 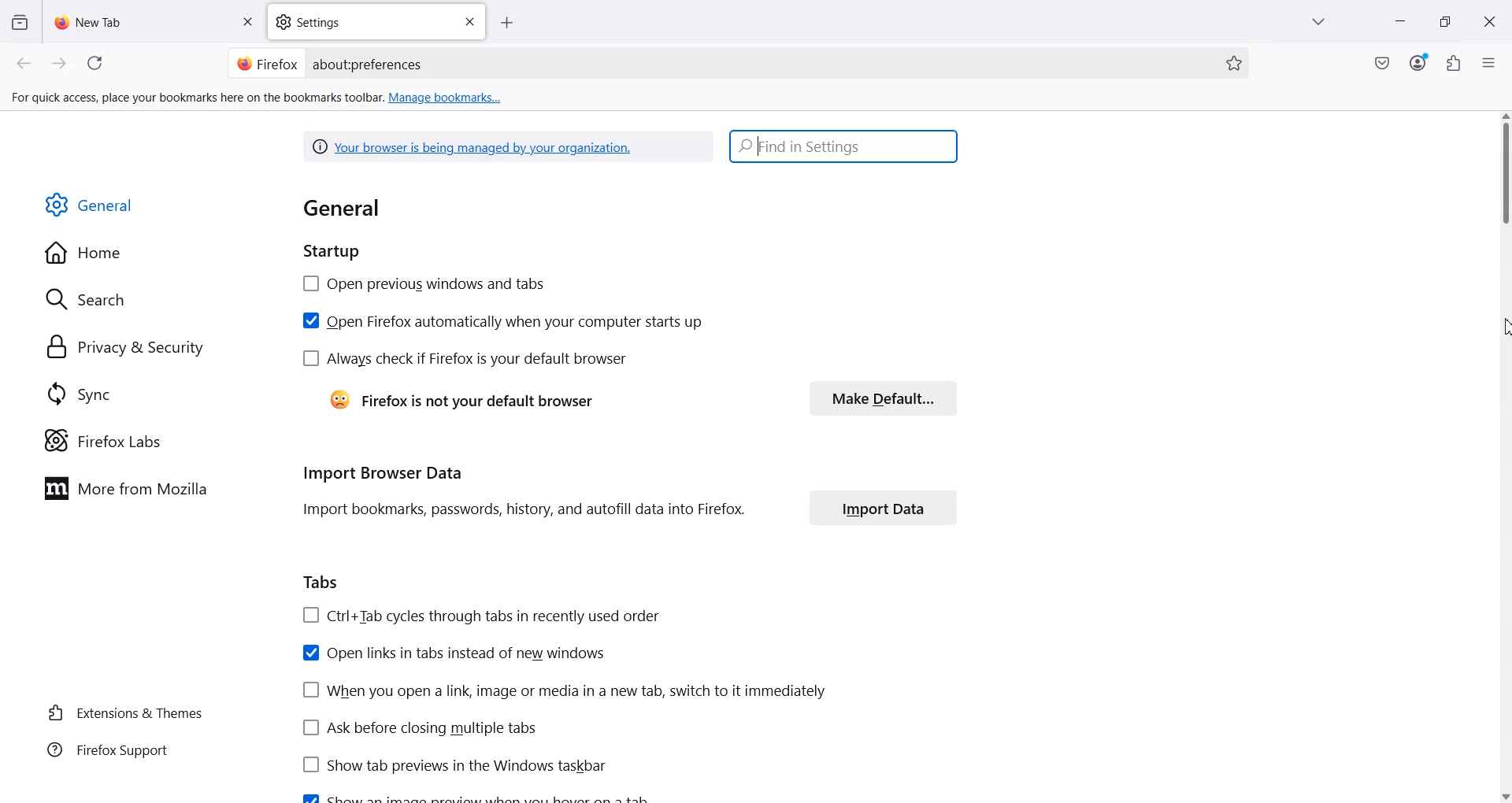 What do you see at coordinates (469, 22) in the screenshot?
I see `Close` at bounding box center [469, 22].